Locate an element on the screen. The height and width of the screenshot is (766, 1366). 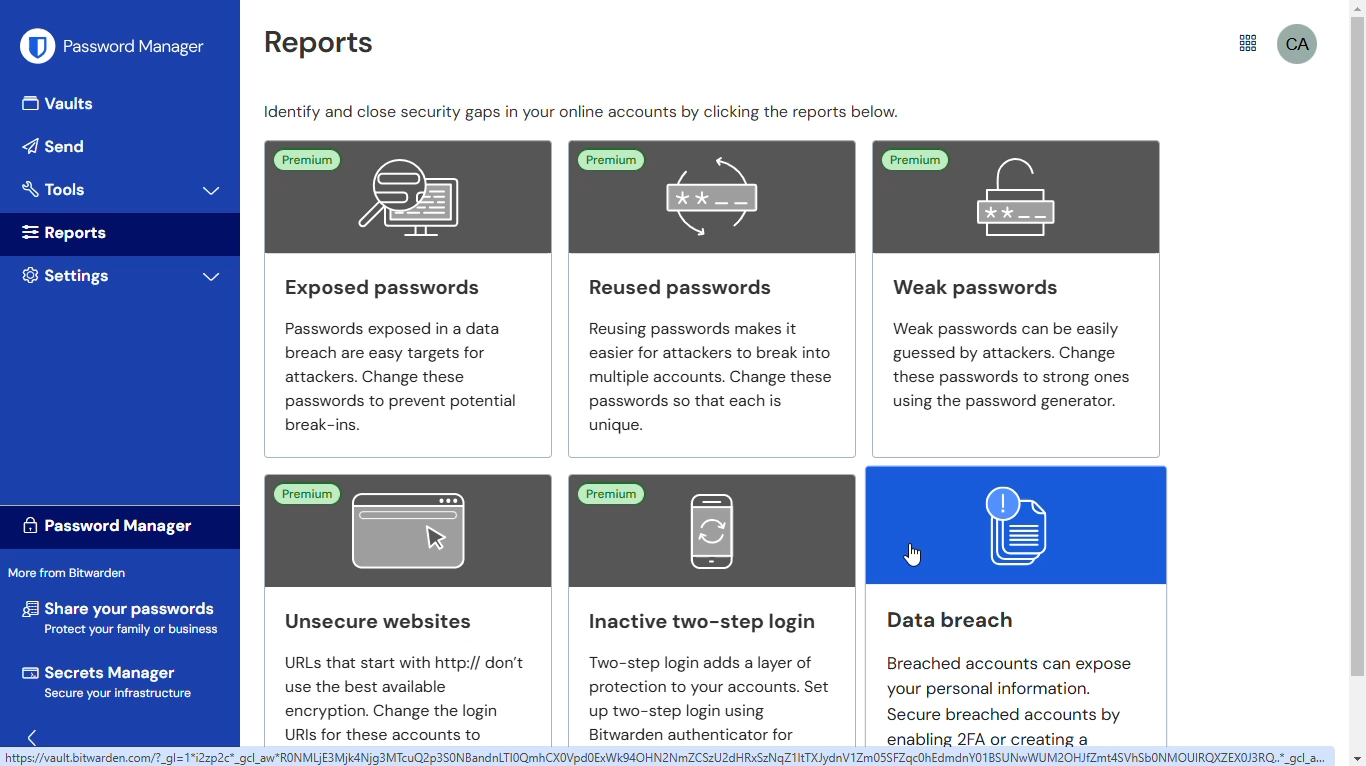
secrets manager secure your infrastucture is located at coordinates (110, 681).